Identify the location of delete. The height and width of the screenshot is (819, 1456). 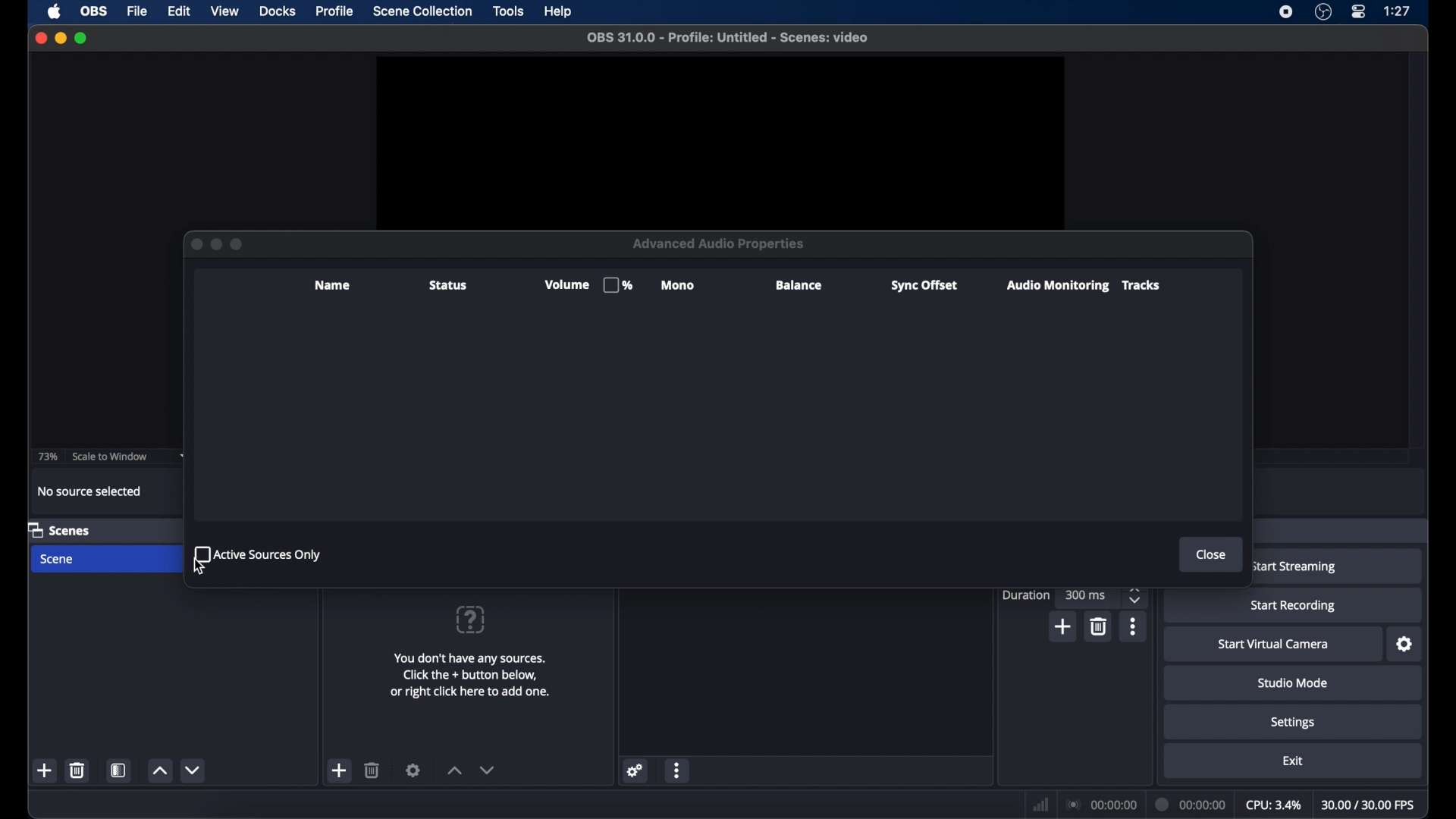
(372, 770).